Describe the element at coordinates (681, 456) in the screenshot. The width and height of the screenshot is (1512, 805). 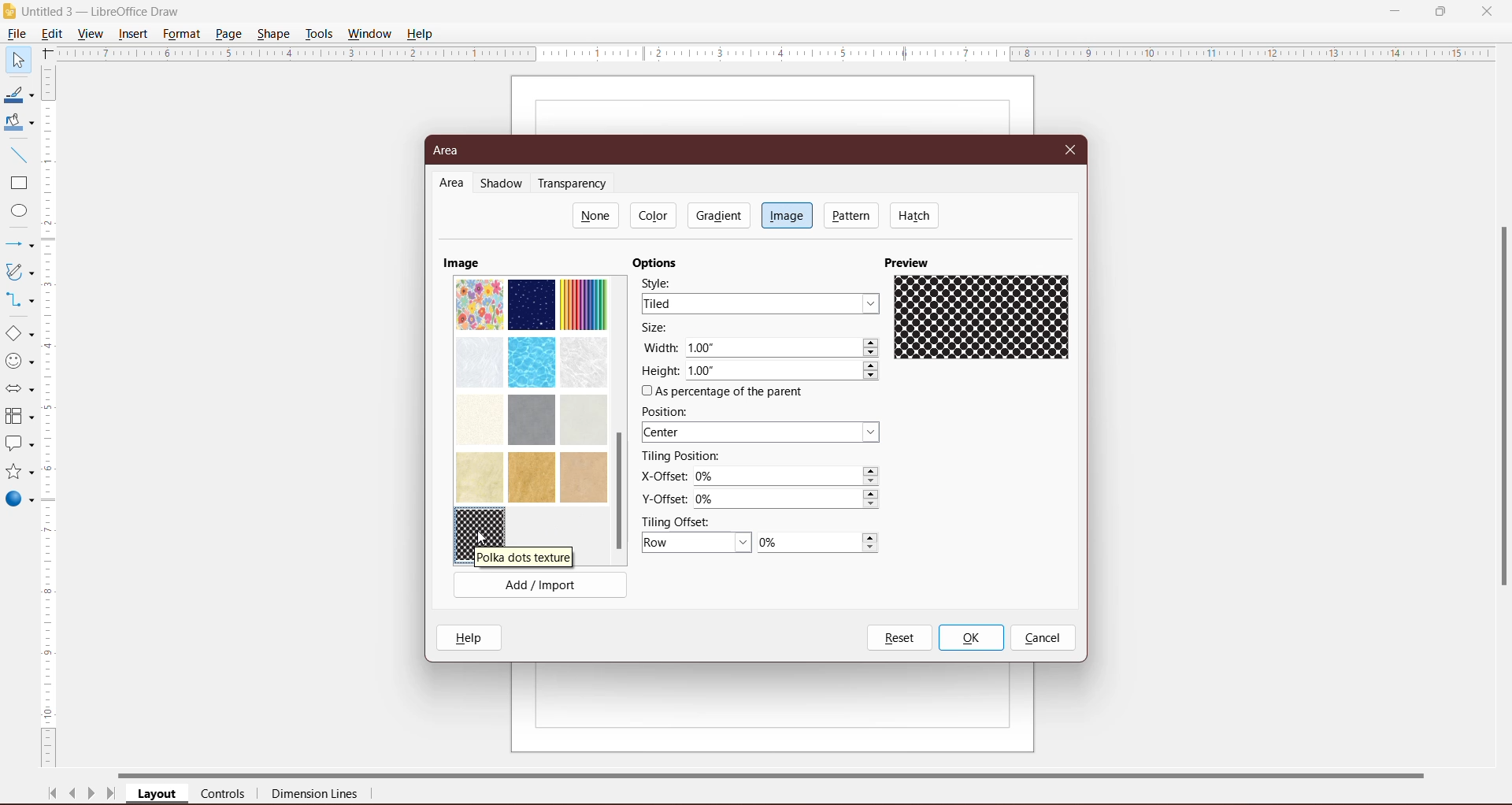
I see `Tiling Position` at that location.